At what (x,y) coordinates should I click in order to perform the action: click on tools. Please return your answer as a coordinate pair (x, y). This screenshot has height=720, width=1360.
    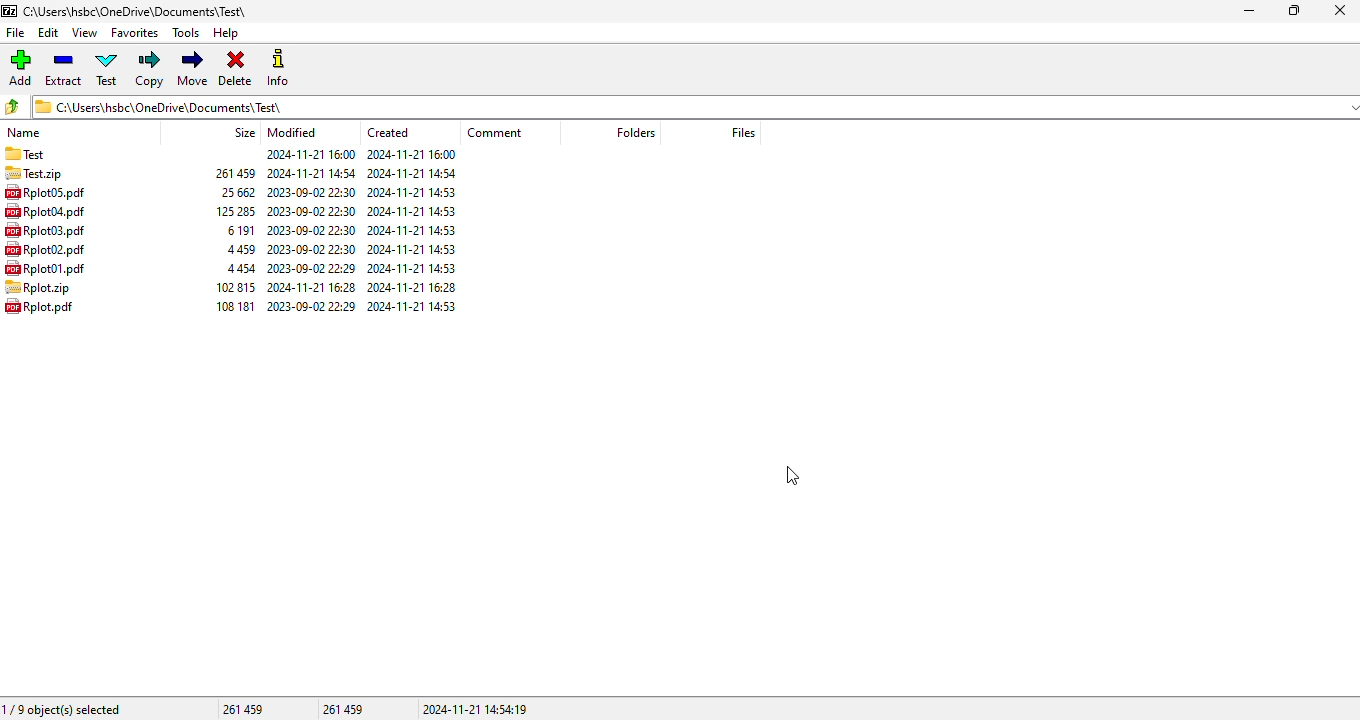
    Looking at the image, I should click on (184, 33).